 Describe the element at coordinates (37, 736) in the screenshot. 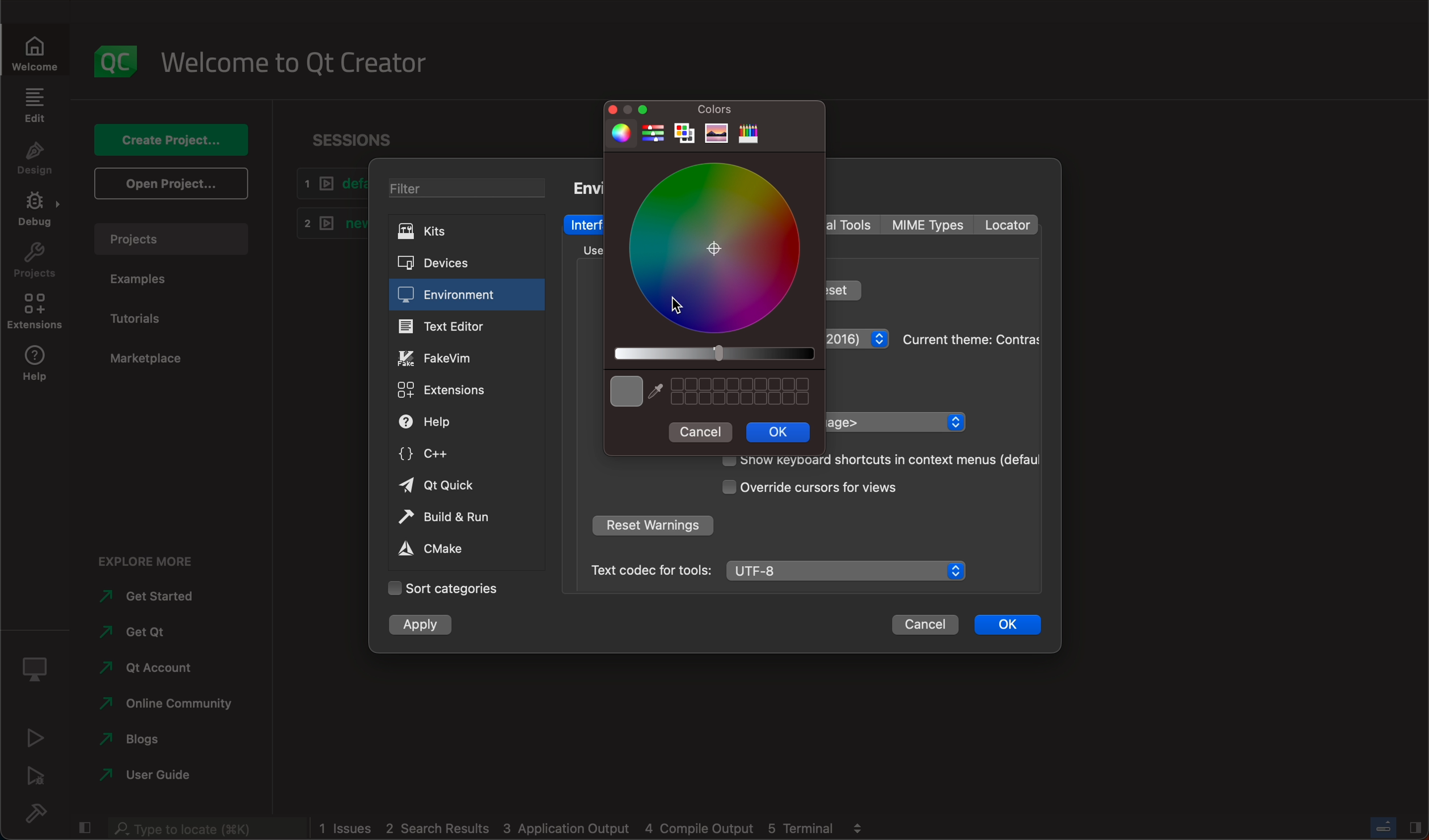

I see `run` at that location.